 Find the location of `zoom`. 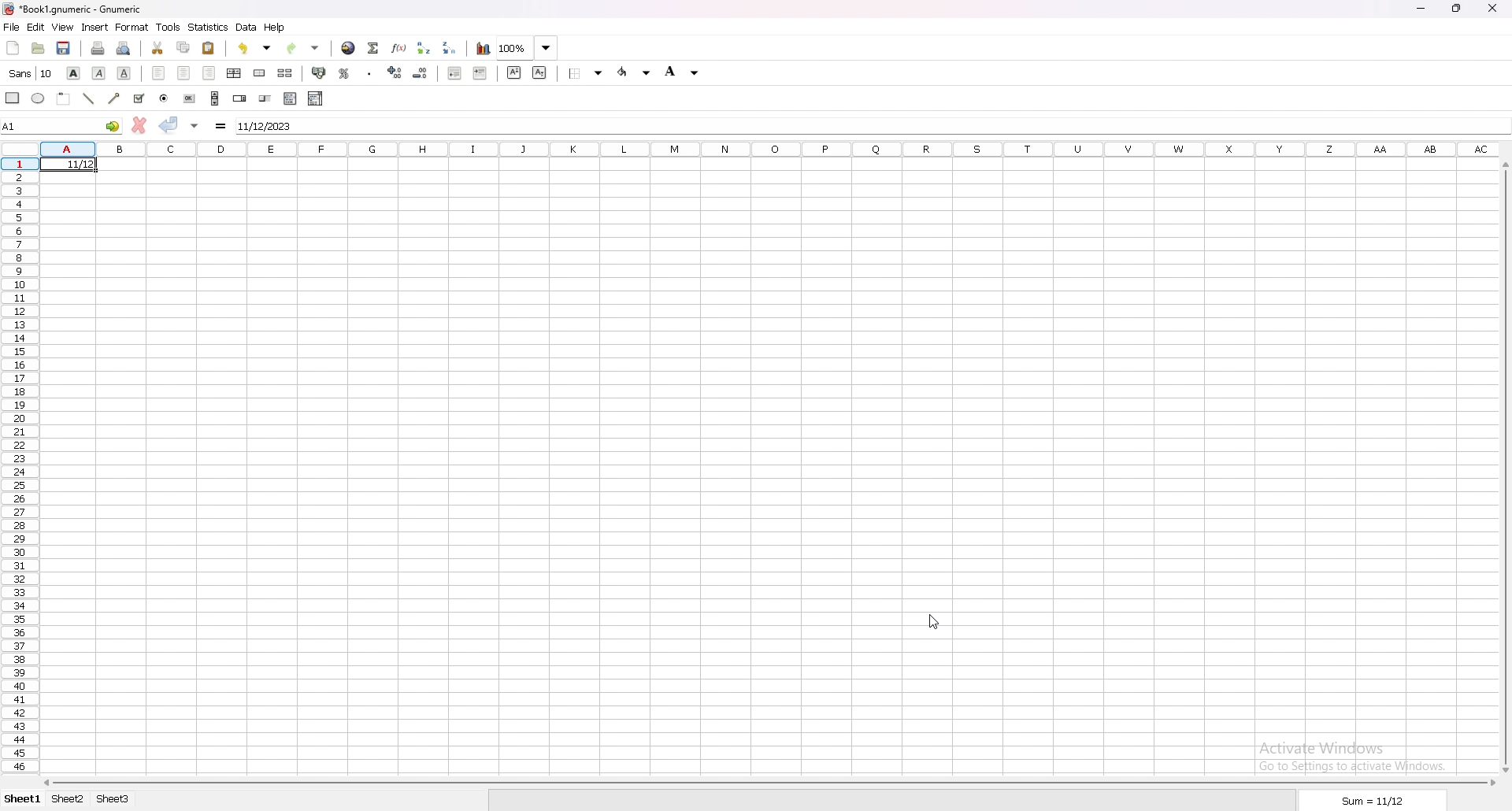

zoom is located at coordinates (528, 47).